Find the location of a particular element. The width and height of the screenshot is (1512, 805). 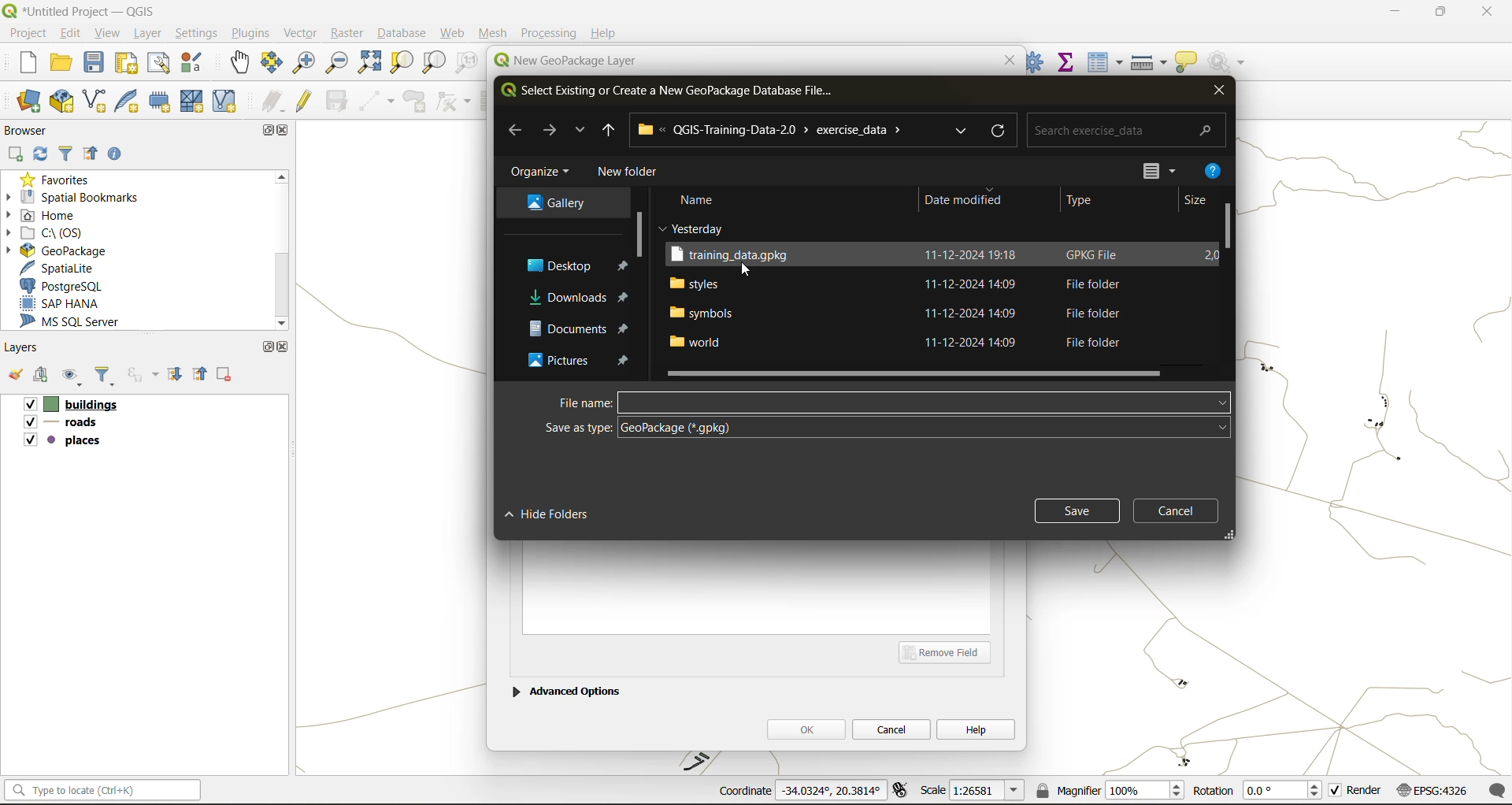

maximize is located at coordinates (267, 347).